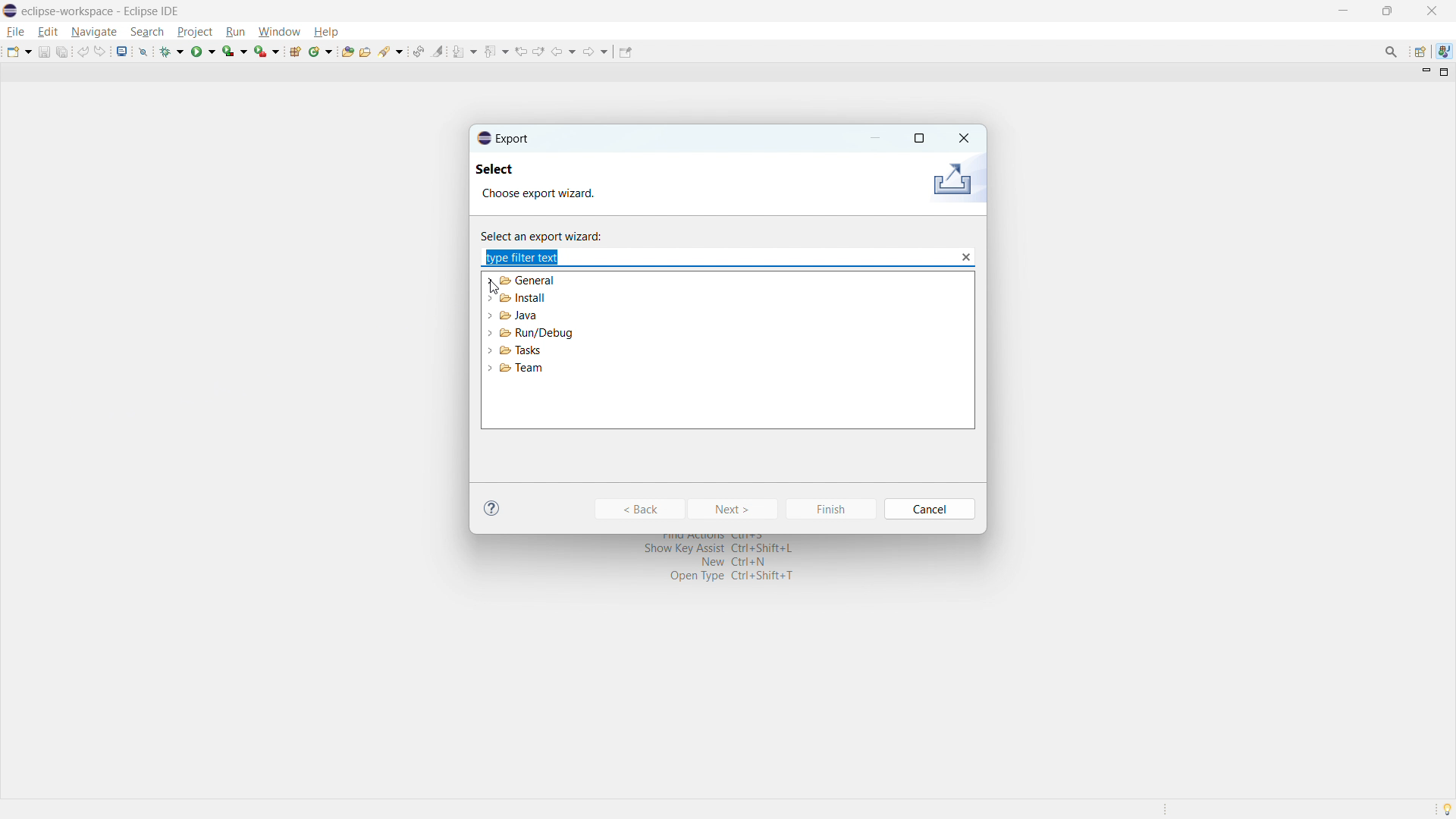  What do you see at coordinates (521, 52) in the screenshot?
I see `view previous location` at bounding box center [521, 52].